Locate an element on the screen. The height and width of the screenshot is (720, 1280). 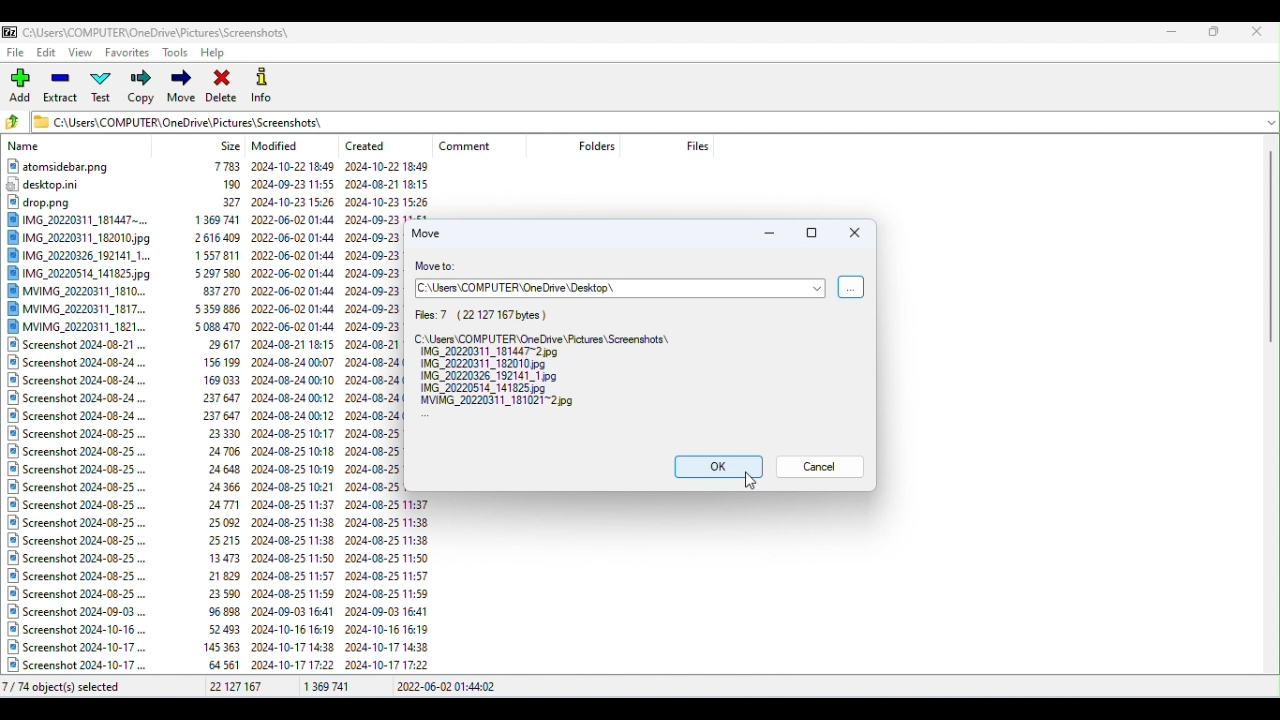
Comment is located at coordinates (474, 146).